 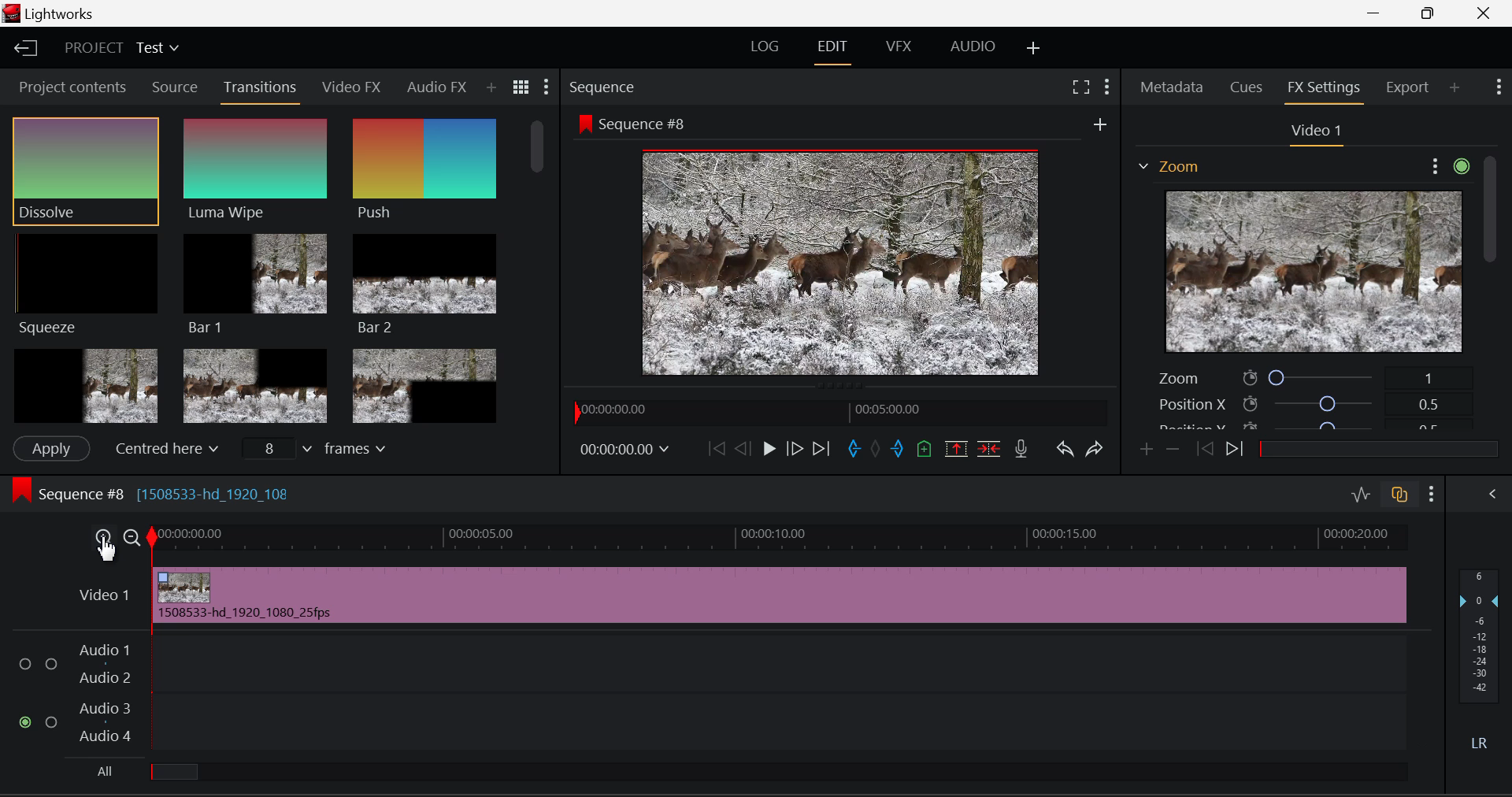 I want to click on Audio Input Checkbox, so click(x=24, y=721).